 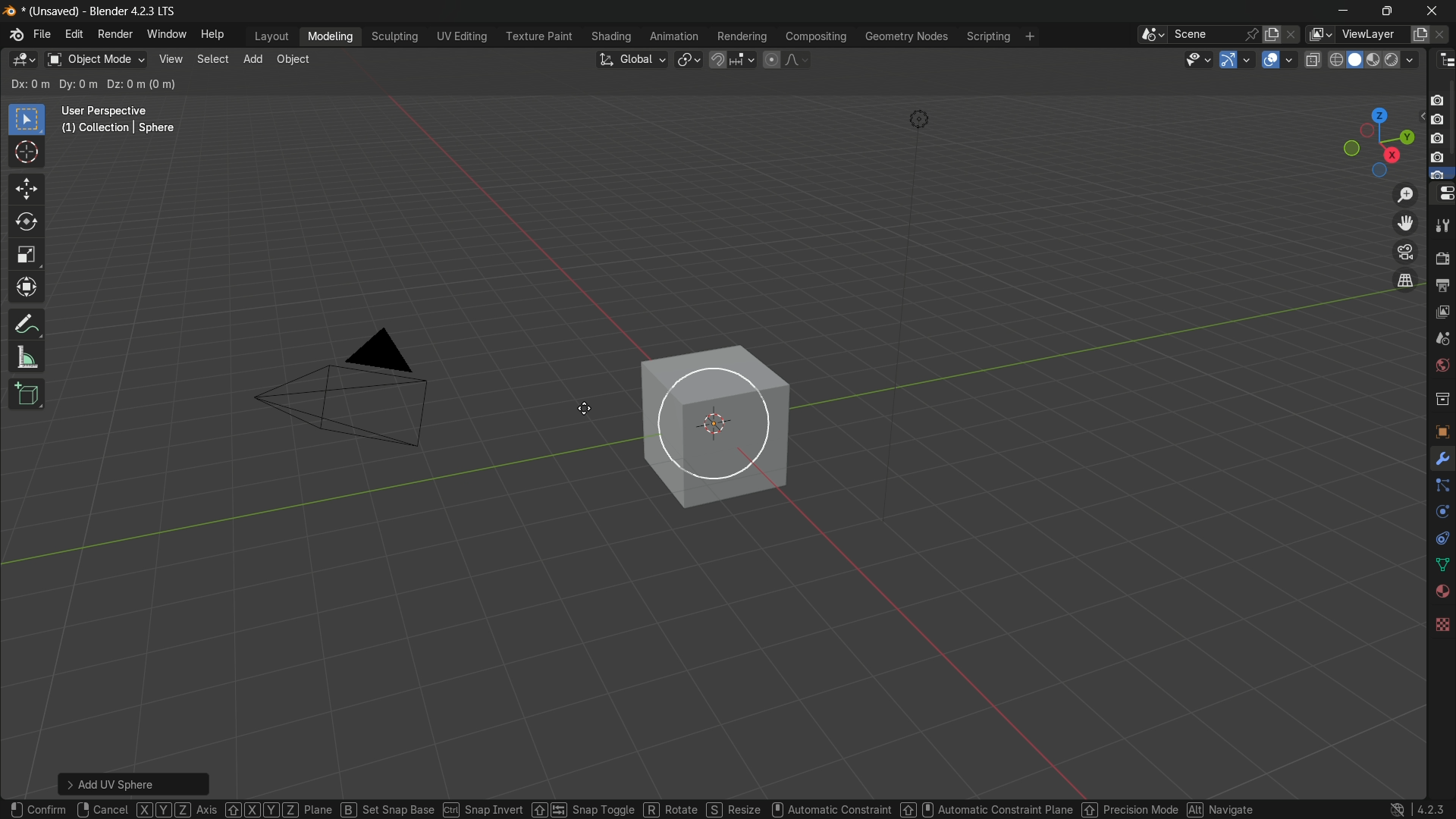 I want to click on Axis, so click(x=178, y=810).